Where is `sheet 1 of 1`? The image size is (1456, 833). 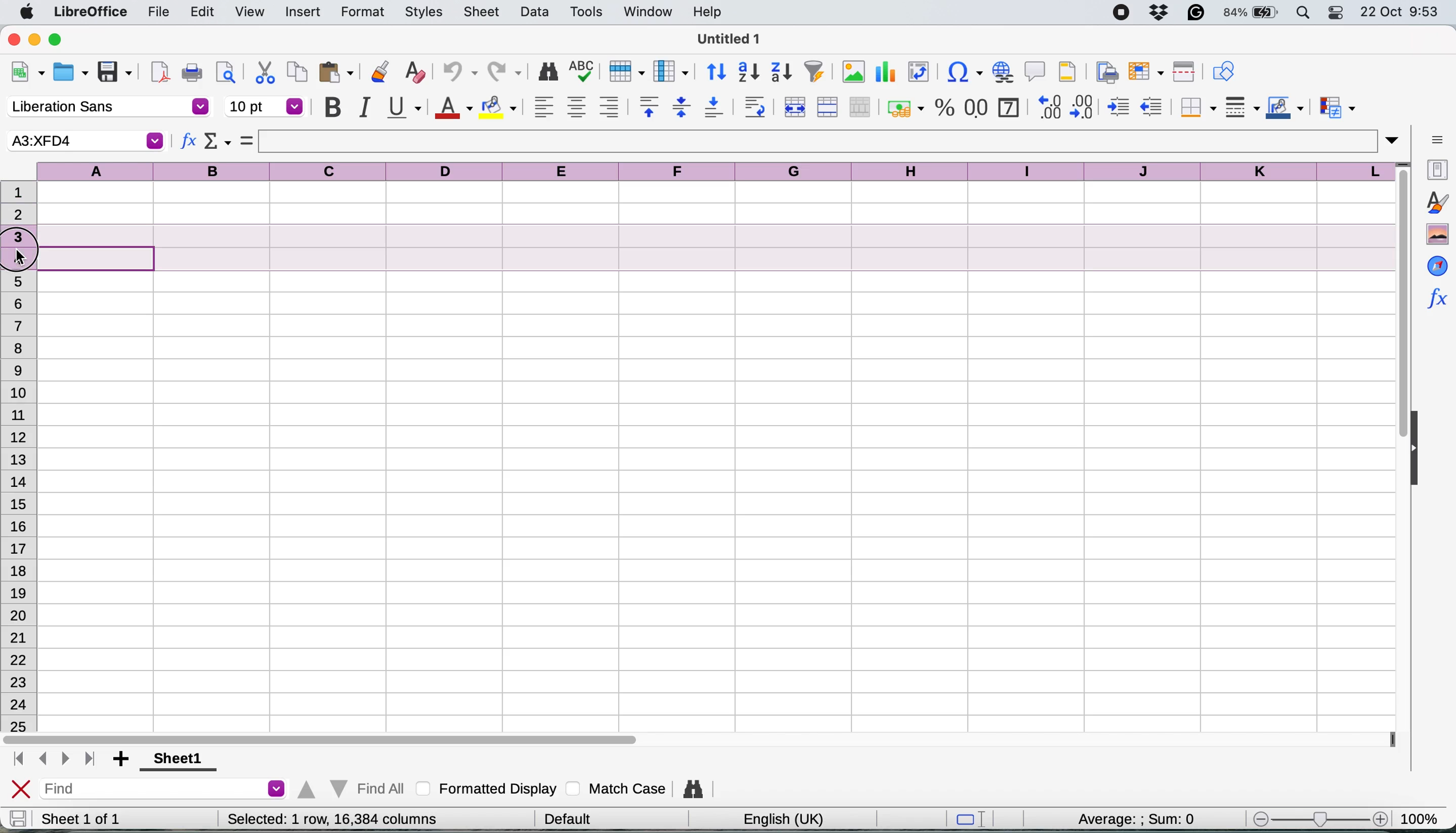
sheet 1 of 1 is located at coordinates (81, 819).